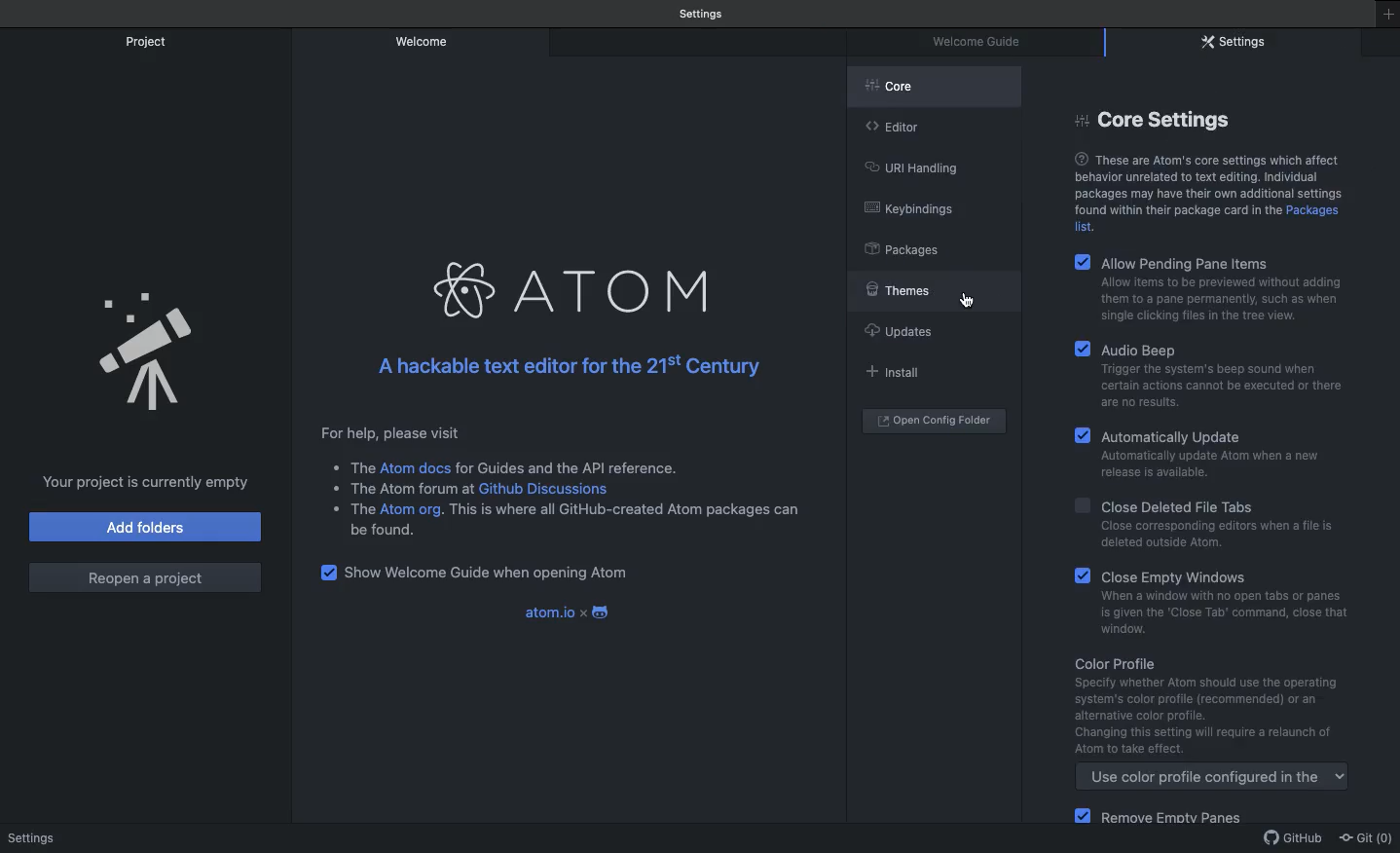  Describe the element at coordinates (1217, 386) in the screenshot. I see `trigger the system beep sound when certain actions cannot be executed or thereare no results.` at that location.